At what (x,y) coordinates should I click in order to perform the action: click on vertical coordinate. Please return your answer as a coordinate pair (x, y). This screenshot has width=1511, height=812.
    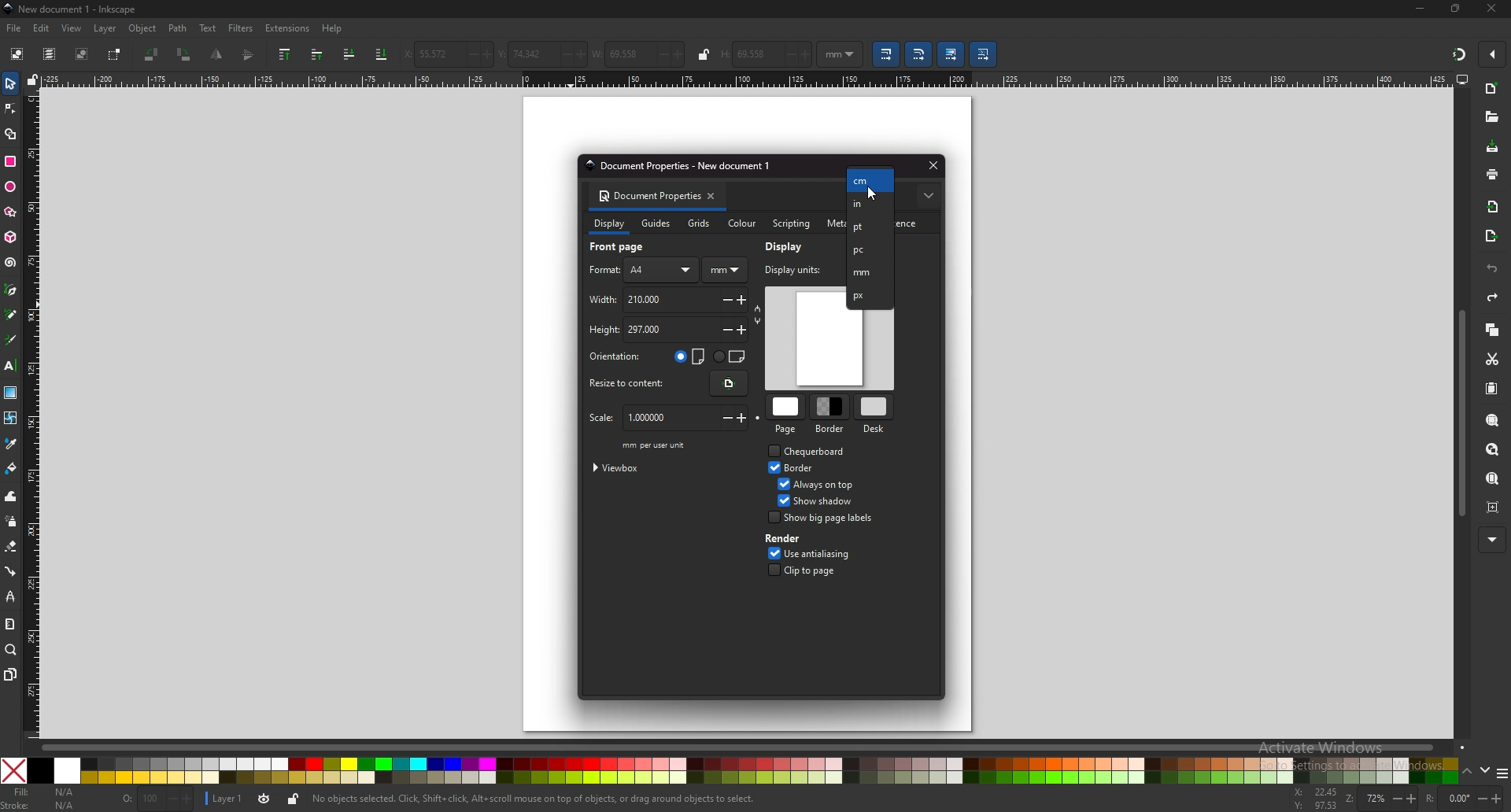
    Looking at the image, I should click on (519, 54).